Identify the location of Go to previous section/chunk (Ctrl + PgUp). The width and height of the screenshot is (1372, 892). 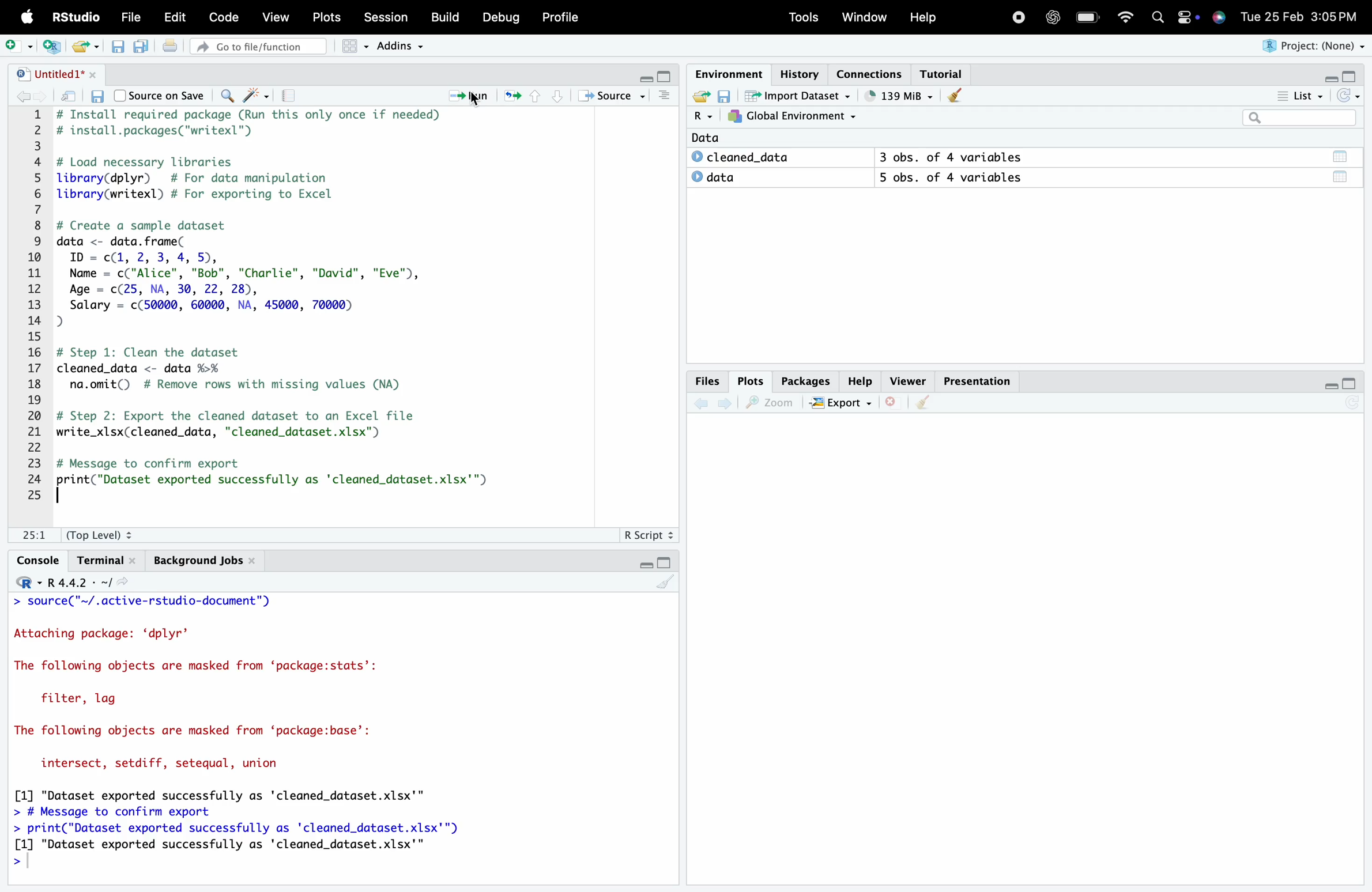
(536, 97).